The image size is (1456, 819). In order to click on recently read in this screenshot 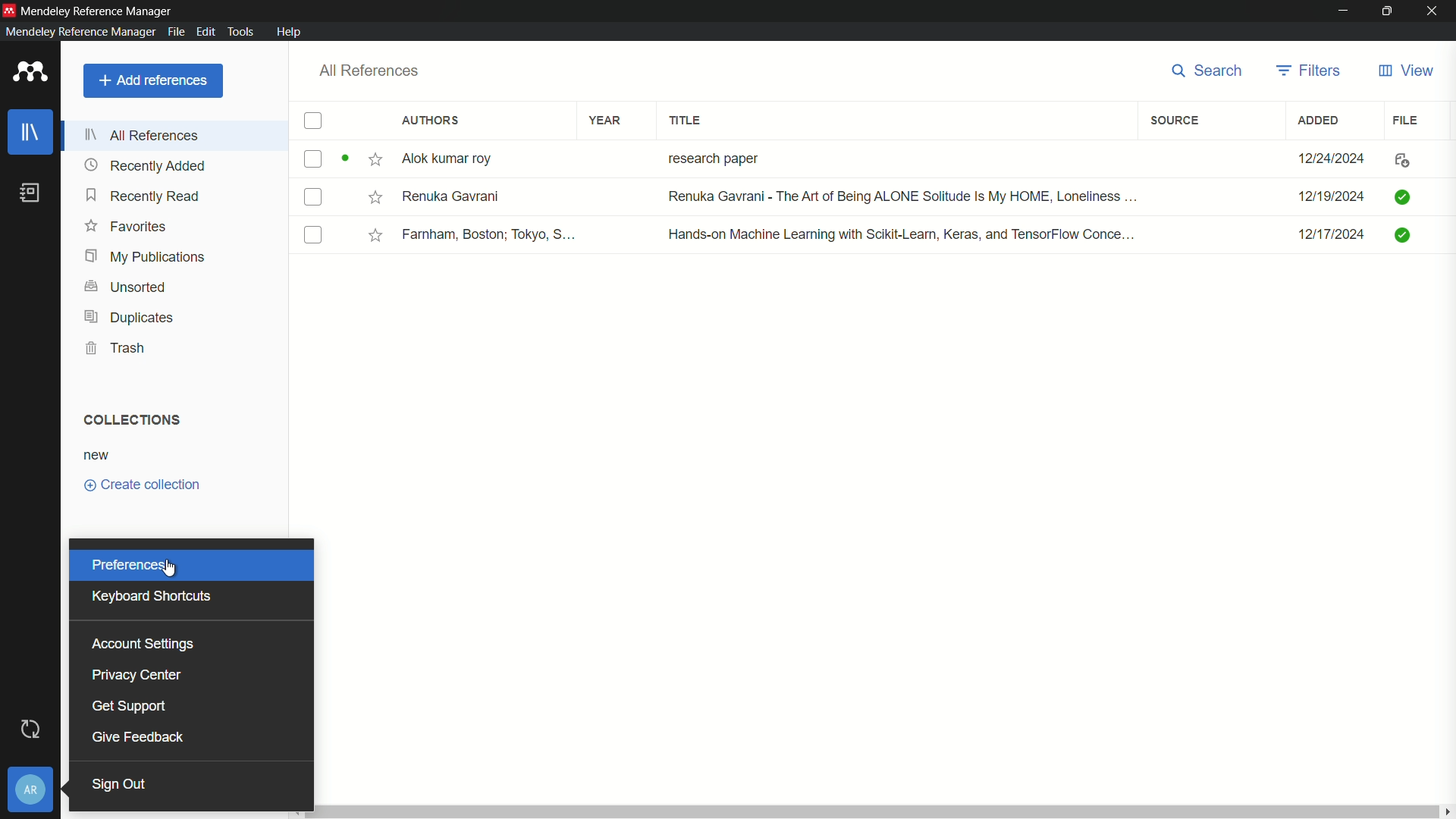, I will do `click(146, 196)`.